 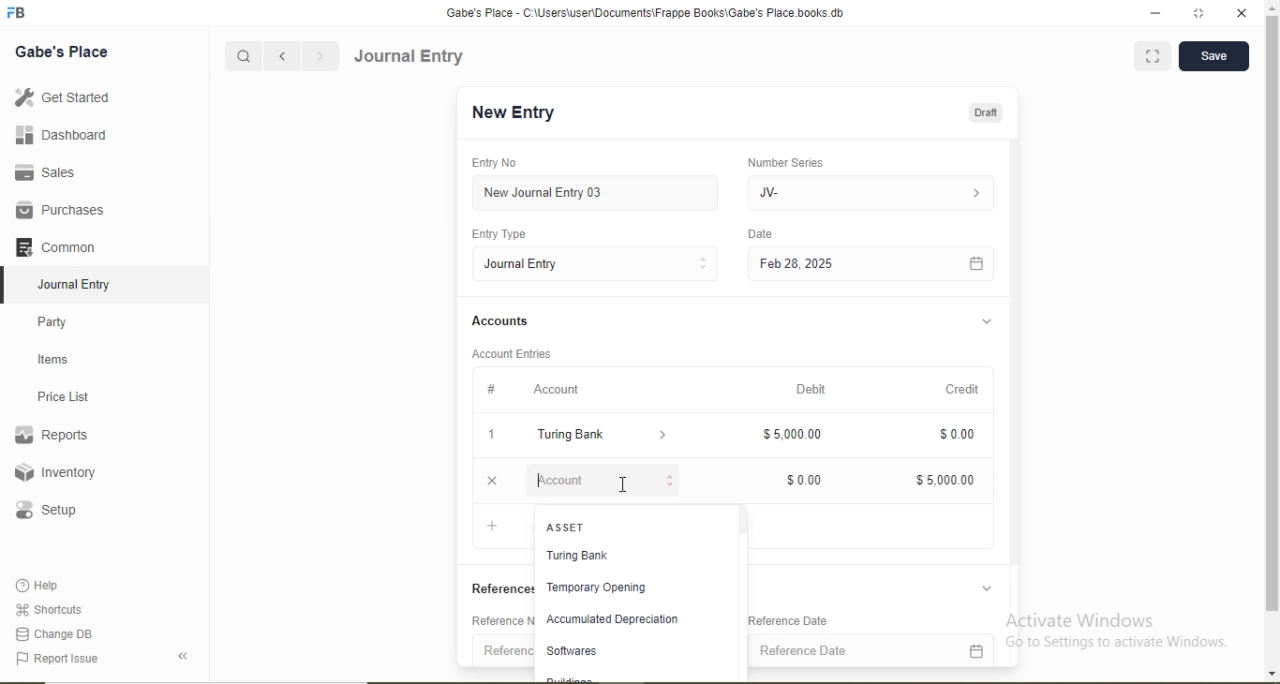 What do you see at coordinates (513, 353) in the screenshot?
I see `Account Entries` at bounding box center [513, 353].